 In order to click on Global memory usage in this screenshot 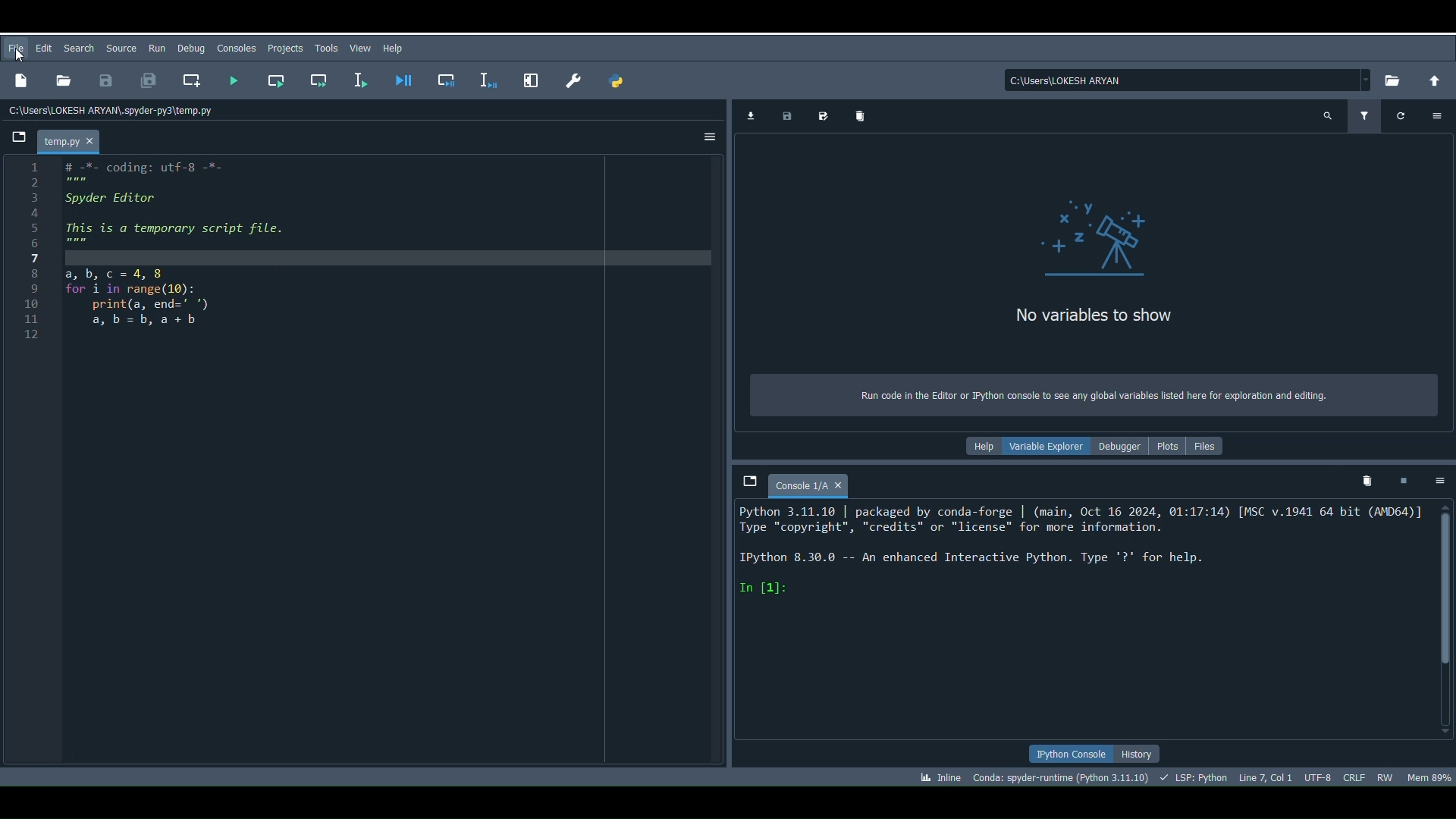, I will do `click(1425, 779)`.